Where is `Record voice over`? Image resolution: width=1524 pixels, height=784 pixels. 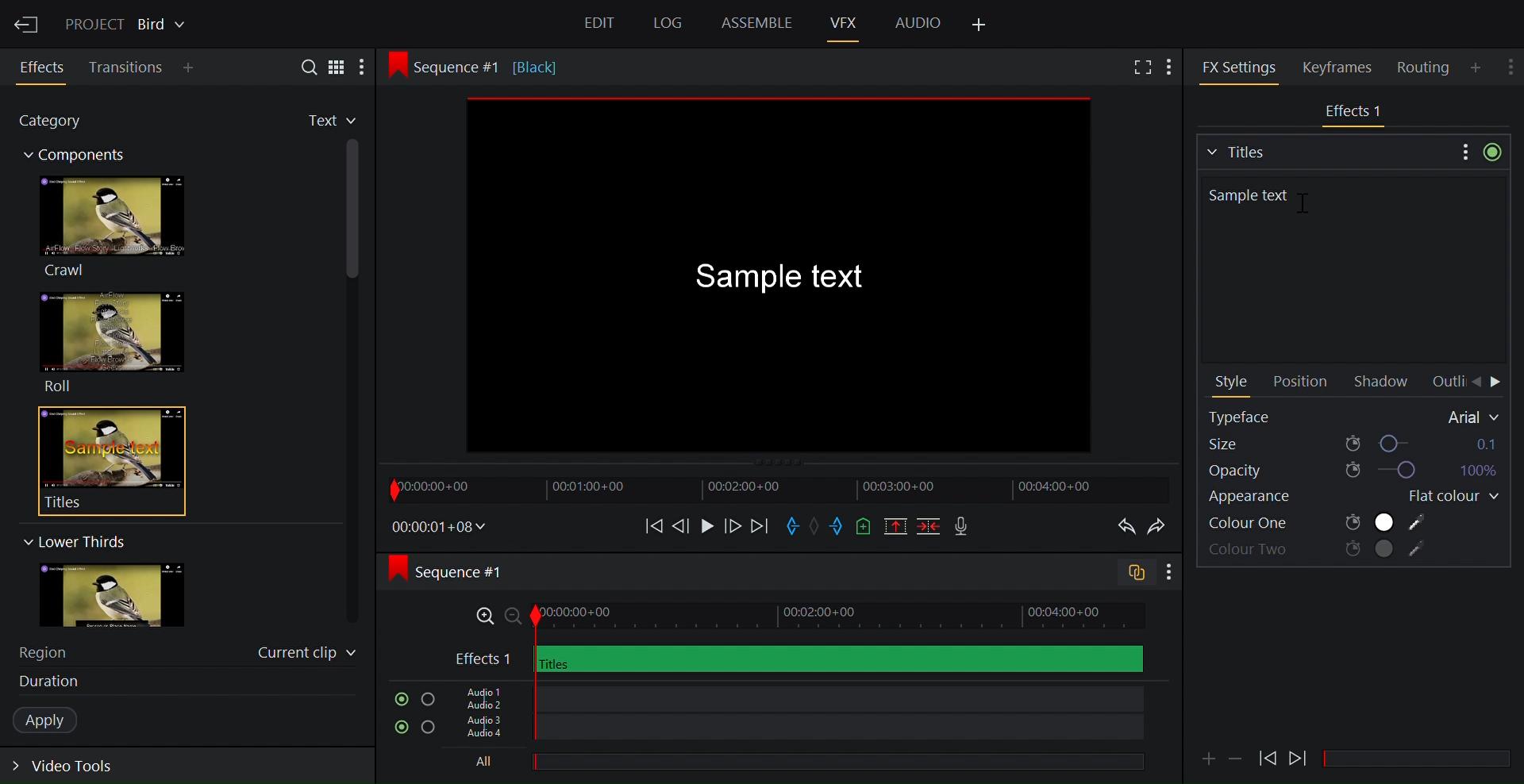 Record voice over is located at coordinates (963, 527).